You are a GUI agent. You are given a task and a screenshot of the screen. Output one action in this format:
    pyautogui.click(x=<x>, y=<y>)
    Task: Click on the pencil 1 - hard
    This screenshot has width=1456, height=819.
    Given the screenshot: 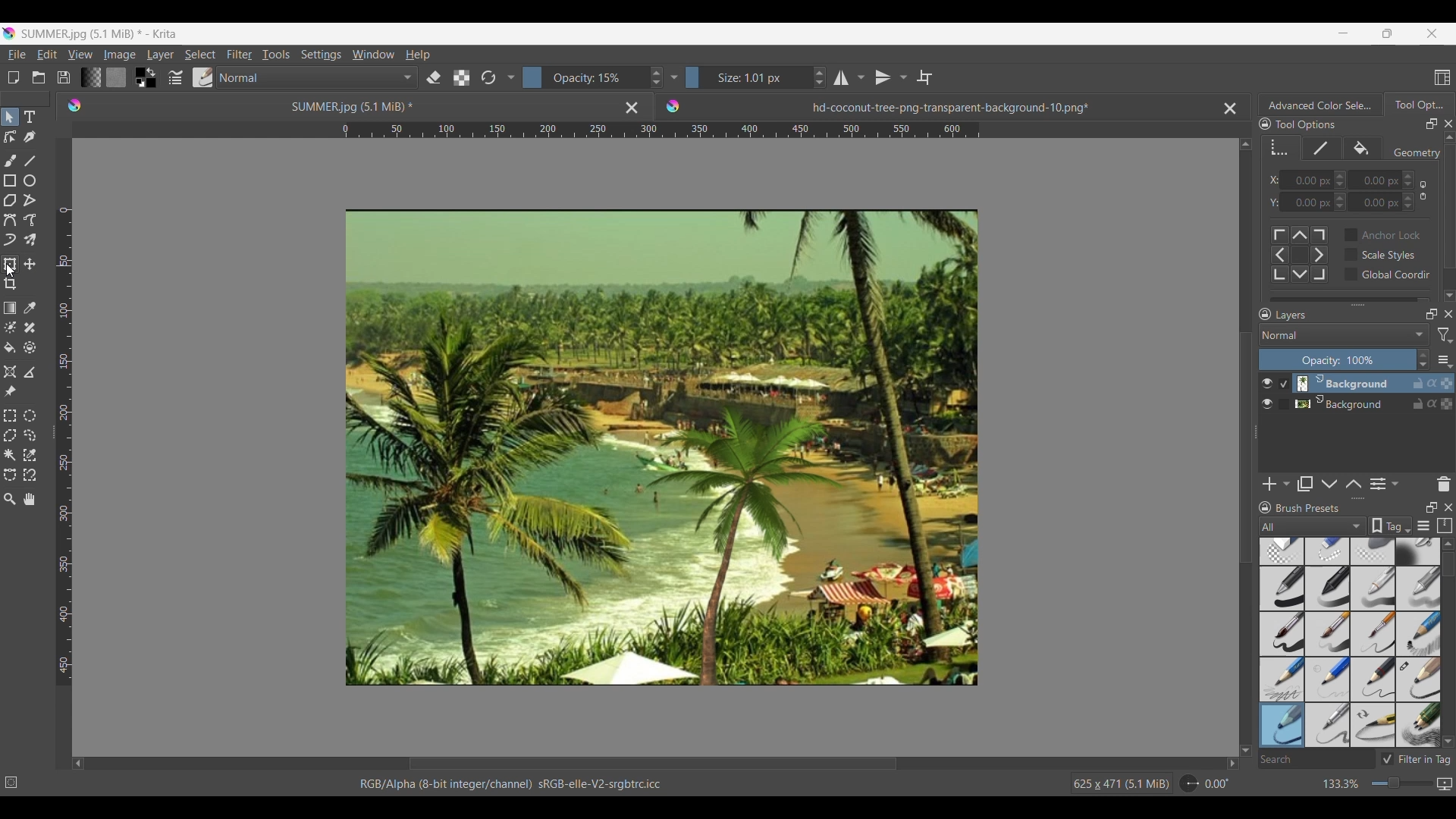 What is the action you would take?
    pyautogui.click(x=1328, y=679)
    